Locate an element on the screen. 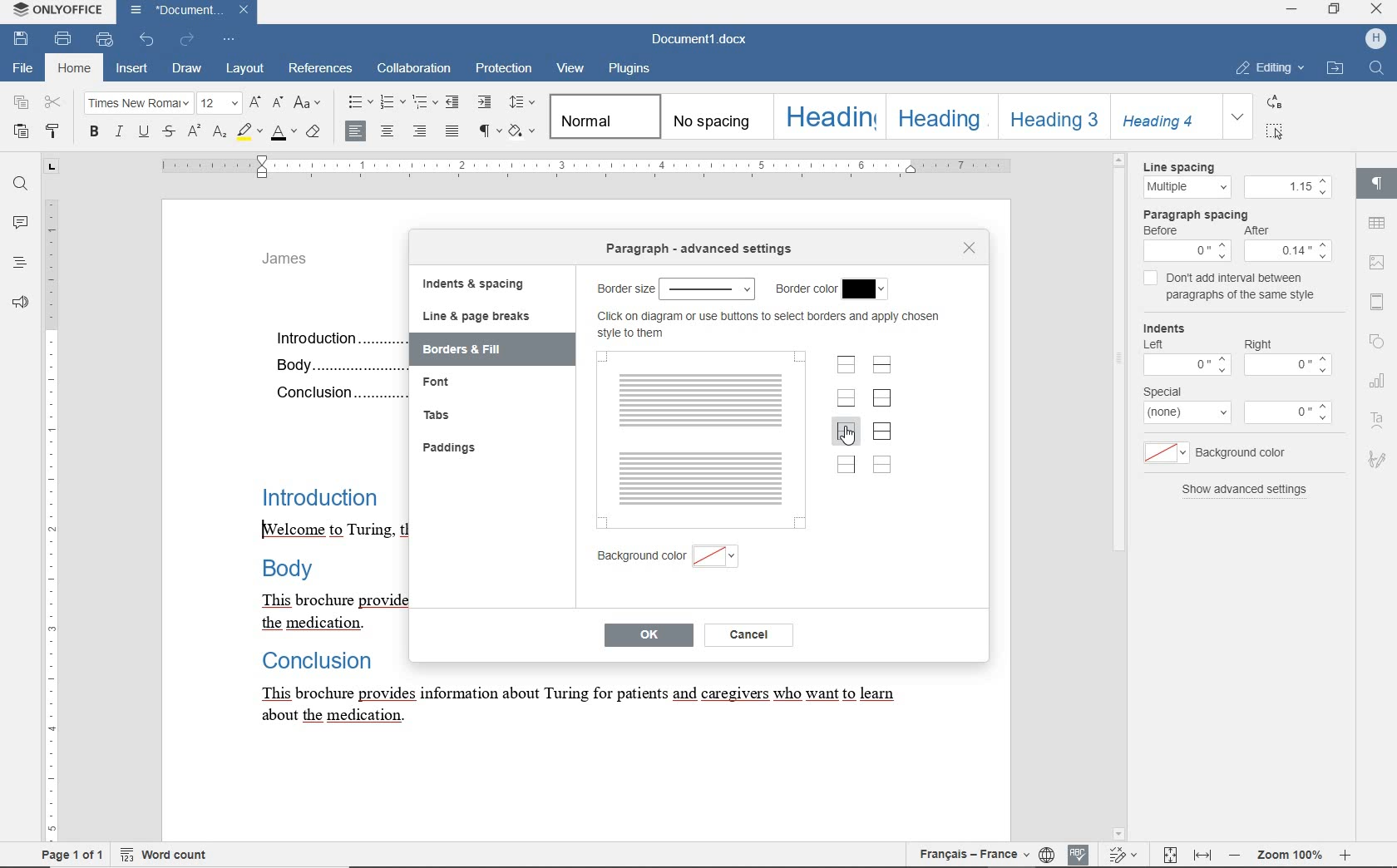 The image size is (1397, 868). collaboration is located at coordinates (412, 68).